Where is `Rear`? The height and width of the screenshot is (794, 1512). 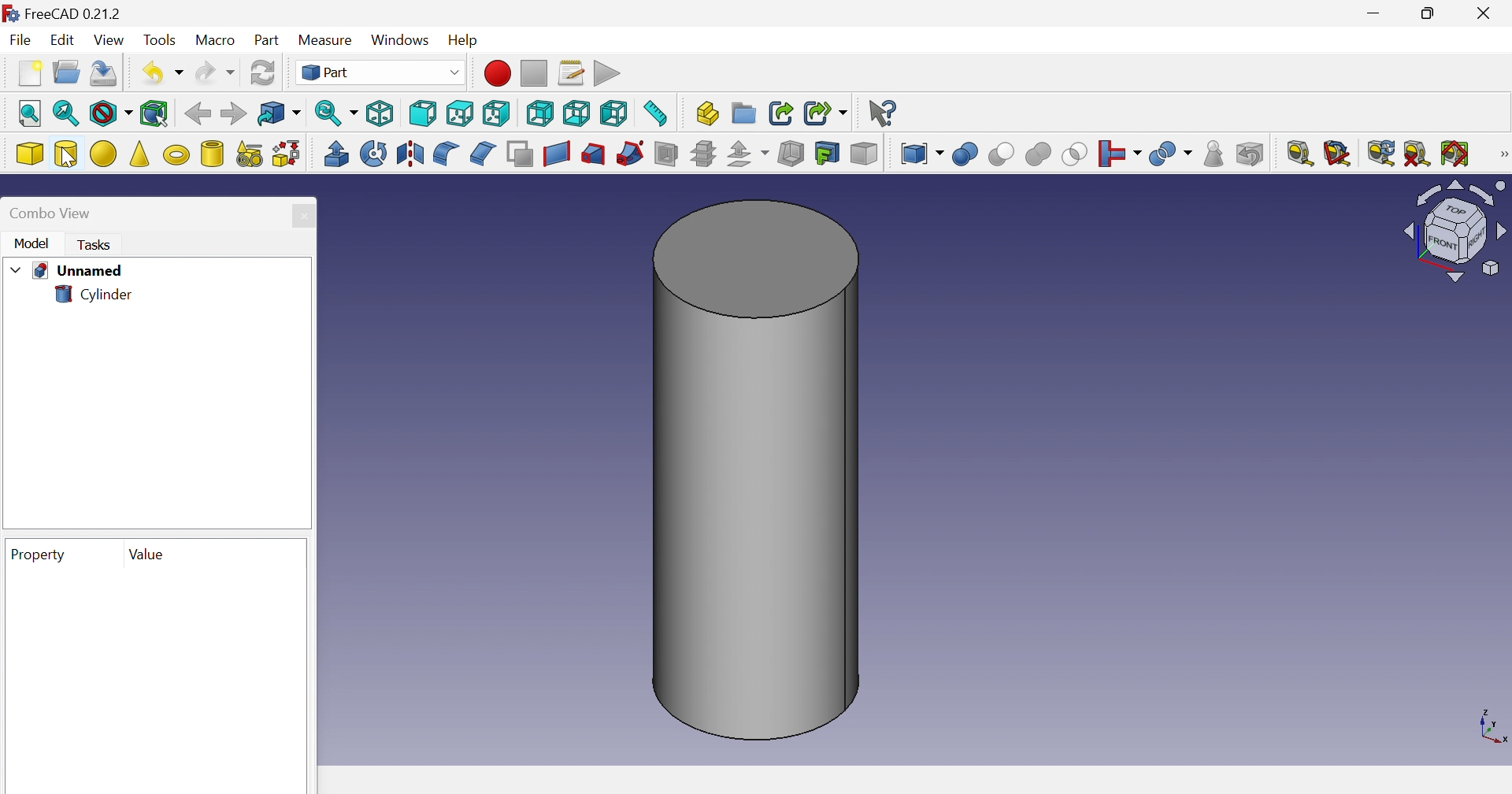 Rear is located at coordinates (542, 113).